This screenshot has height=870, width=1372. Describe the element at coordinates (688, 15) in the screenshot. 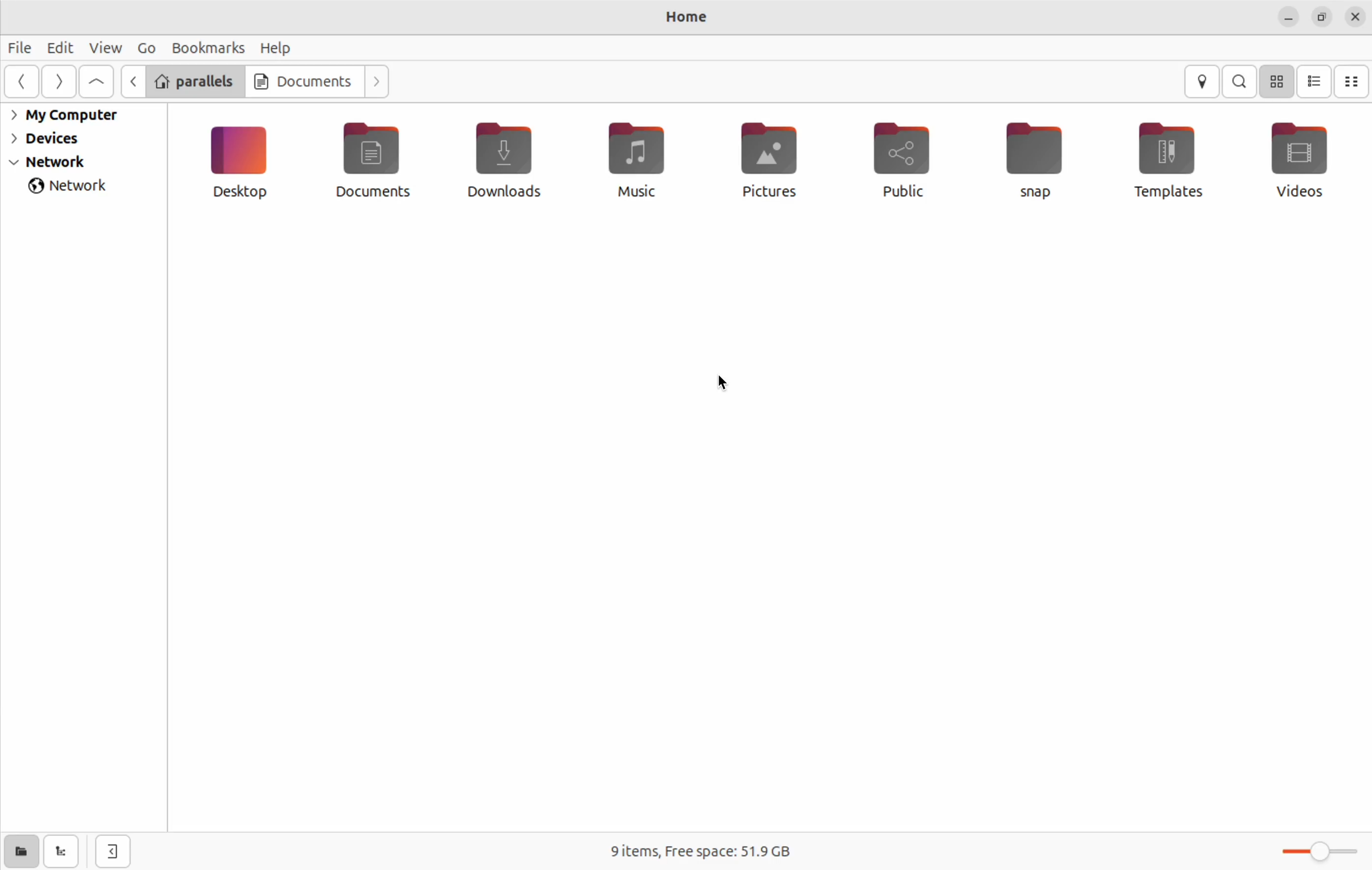

I see `home` at that location.